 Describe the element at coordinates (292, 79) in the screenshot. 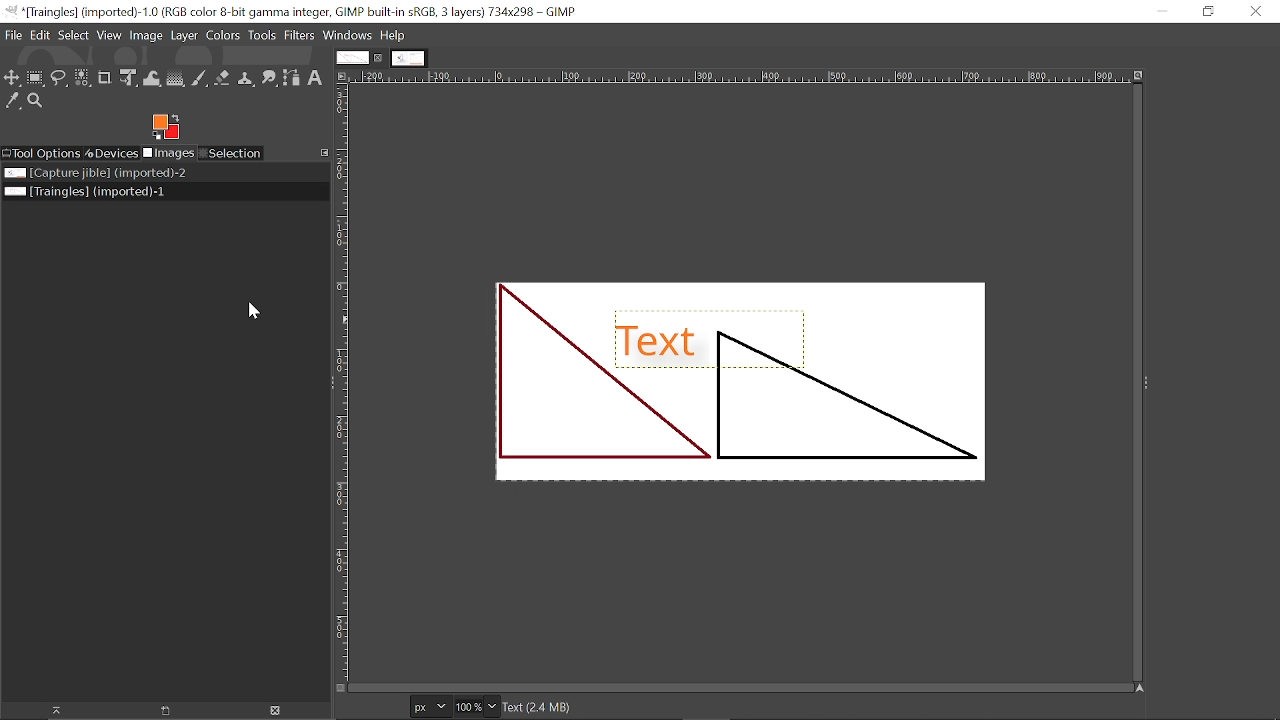

I see `Path tool` at that location.